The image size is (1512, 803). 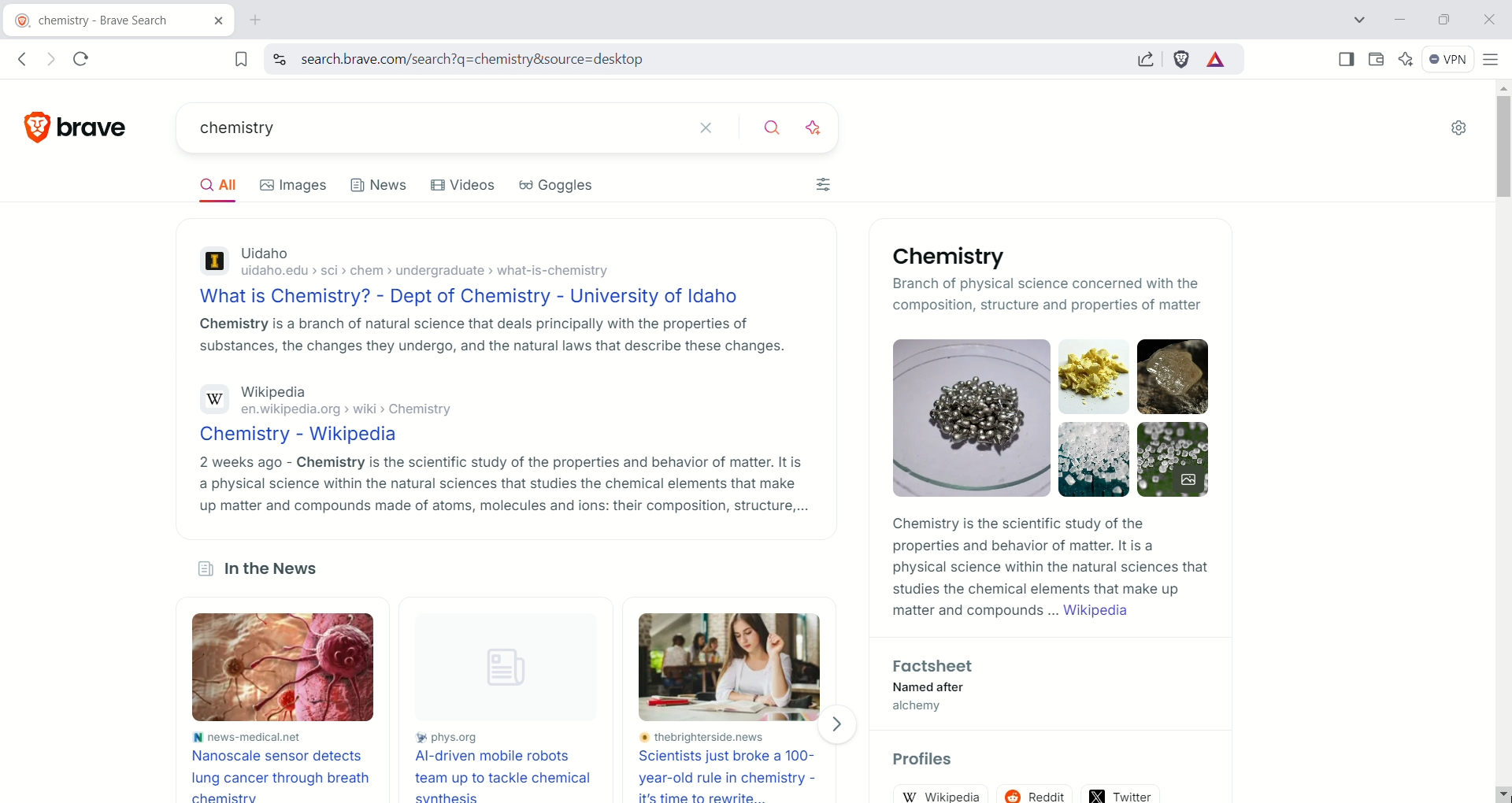 I want to click on wikipedia, so click(x=947, y=794).